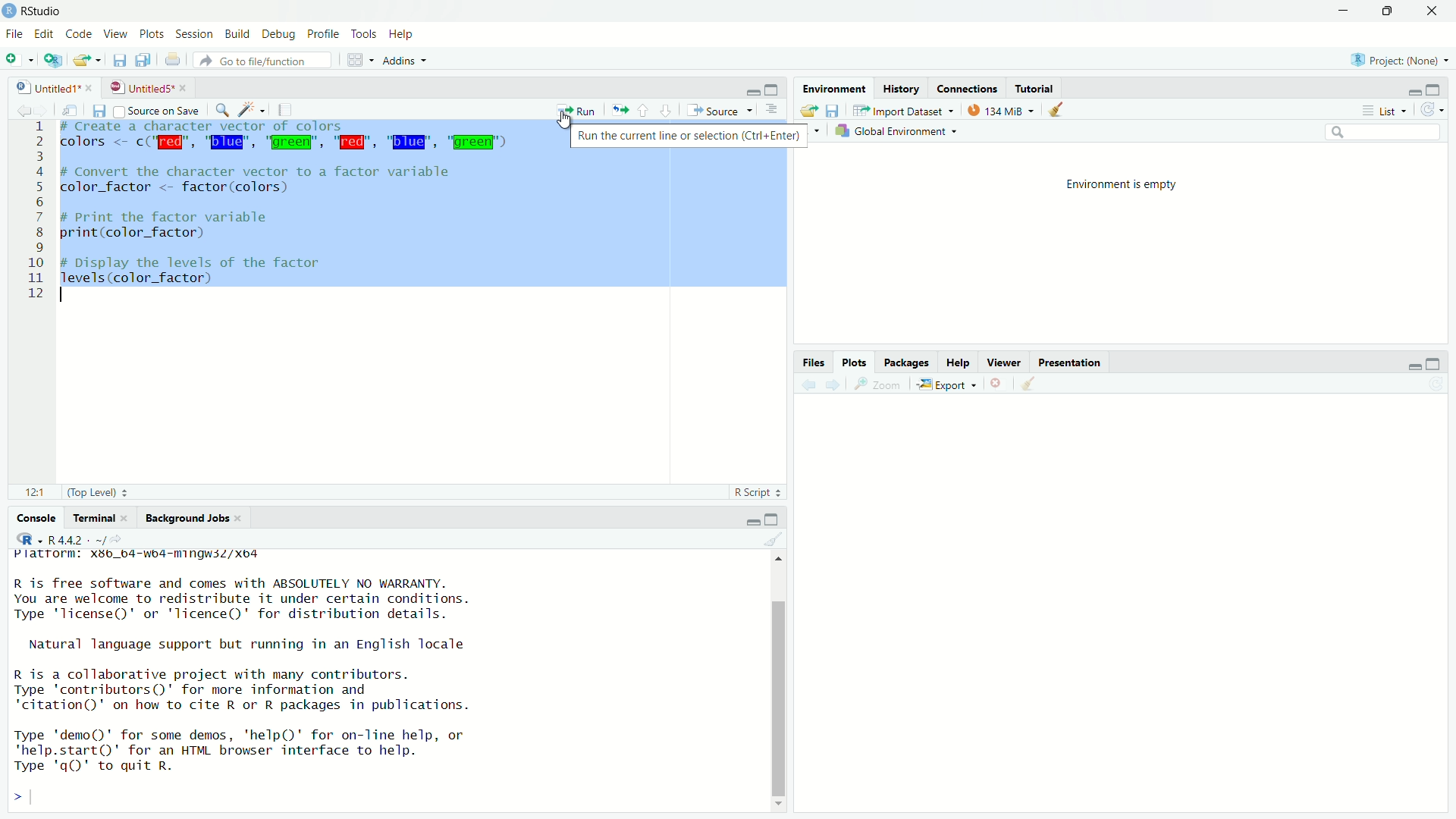 This screenshot has height=819, width=1456. What do you see at coordinates (19, 59) in the screenshot?
I see `new file` at bounding box center [19, 59].